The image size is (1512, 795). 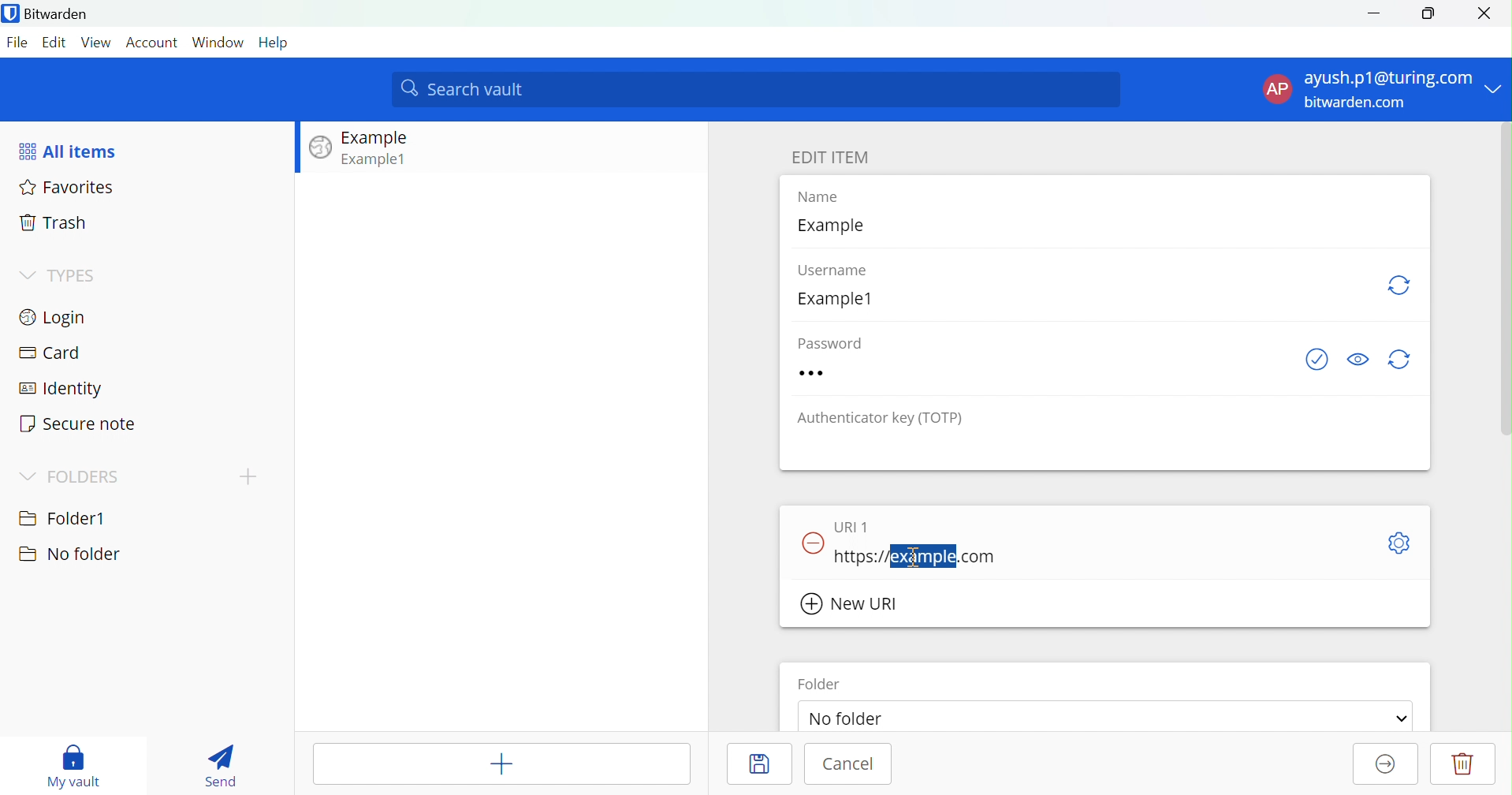 What do you see at coordinates (851, 604) in the screenshot?
I see `New URL` at bounding box center [851, 604].